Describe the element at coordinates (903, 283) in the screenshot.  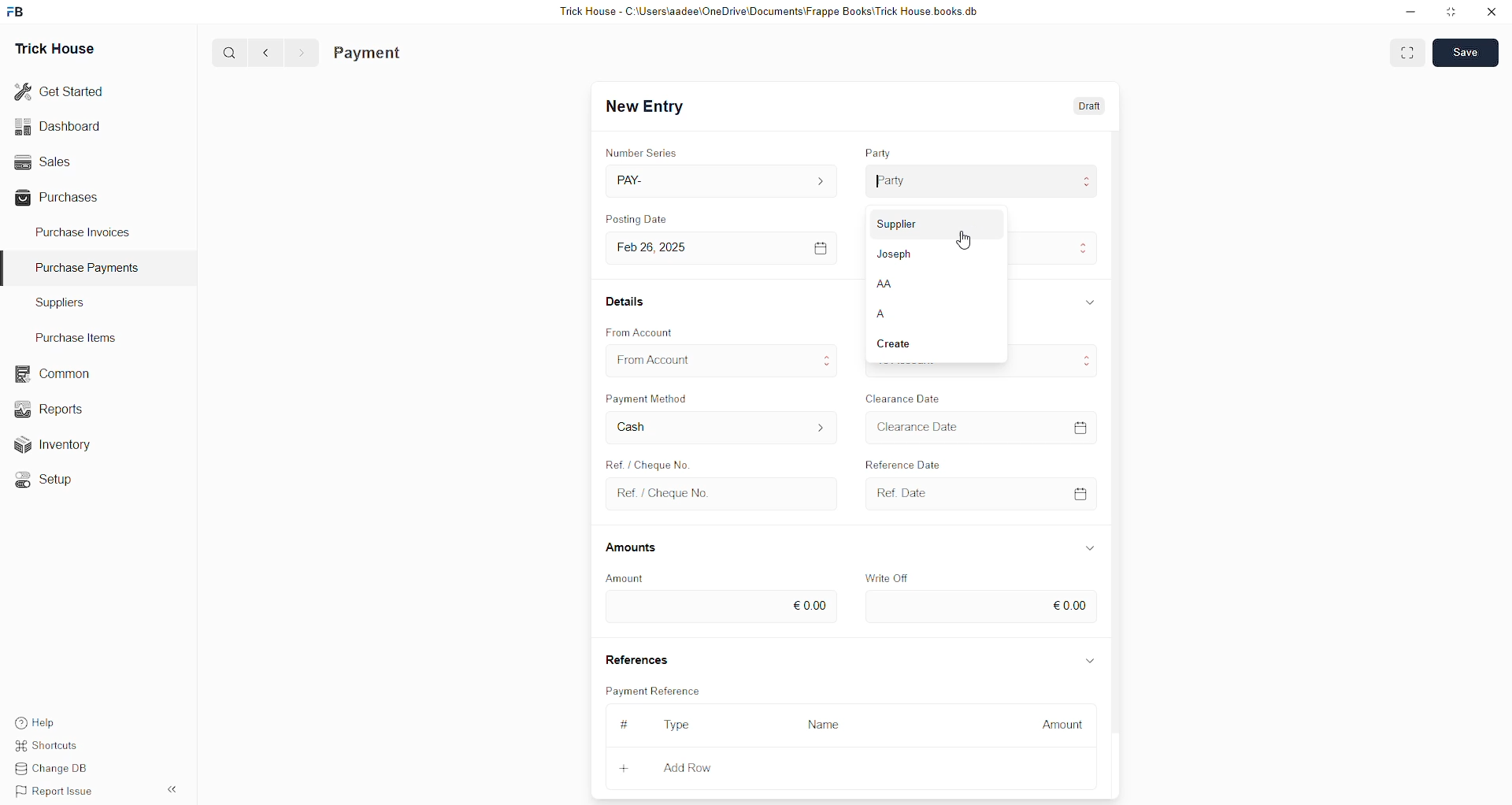
I see `AA` at that location.